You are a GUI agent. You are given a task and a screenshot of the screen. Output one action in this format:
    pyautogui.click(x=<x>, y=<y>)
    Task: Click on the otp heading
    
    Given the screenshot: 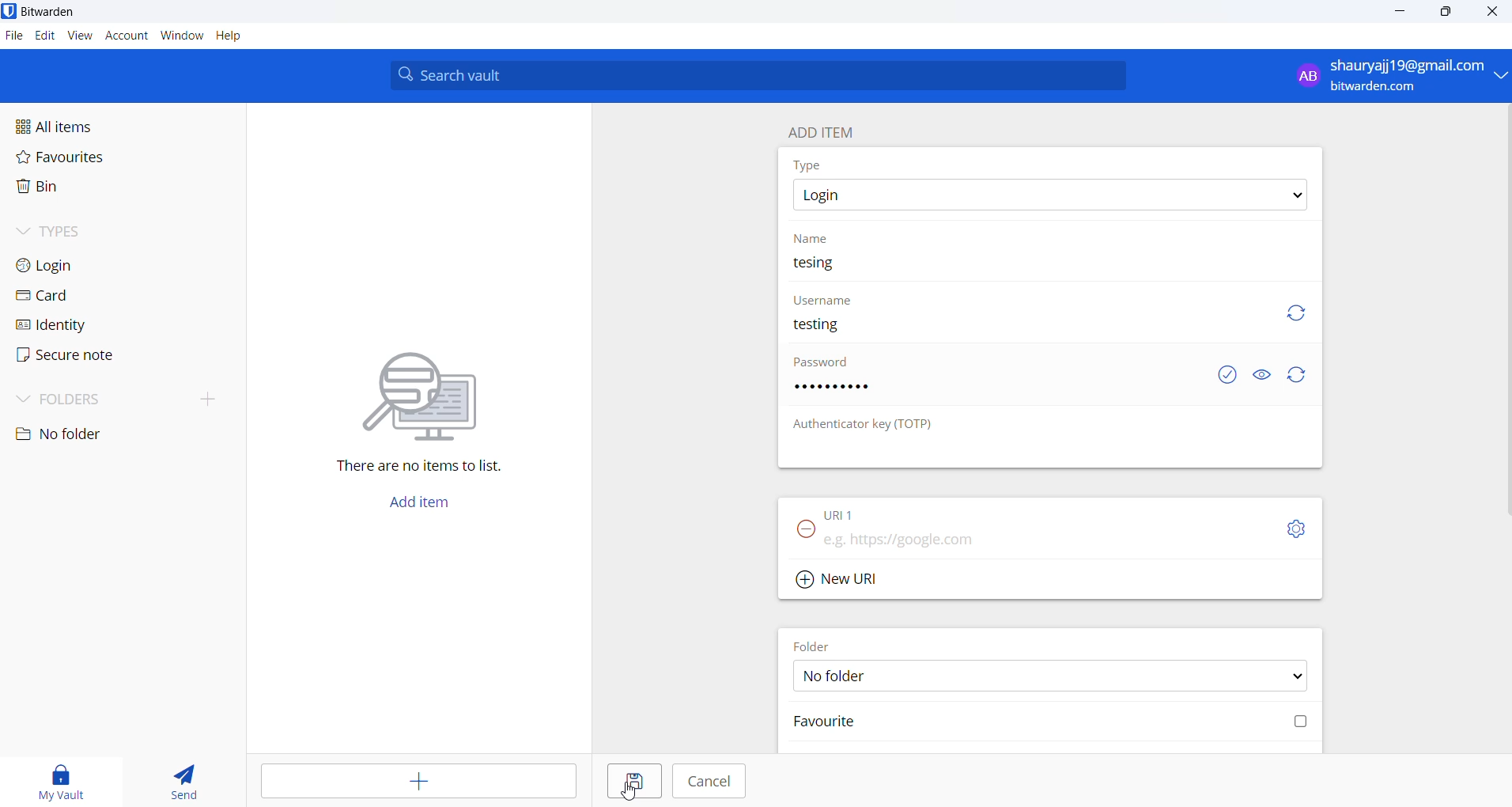 What is the action you would take?
    pyautogui.click(x=879, y=426)
    